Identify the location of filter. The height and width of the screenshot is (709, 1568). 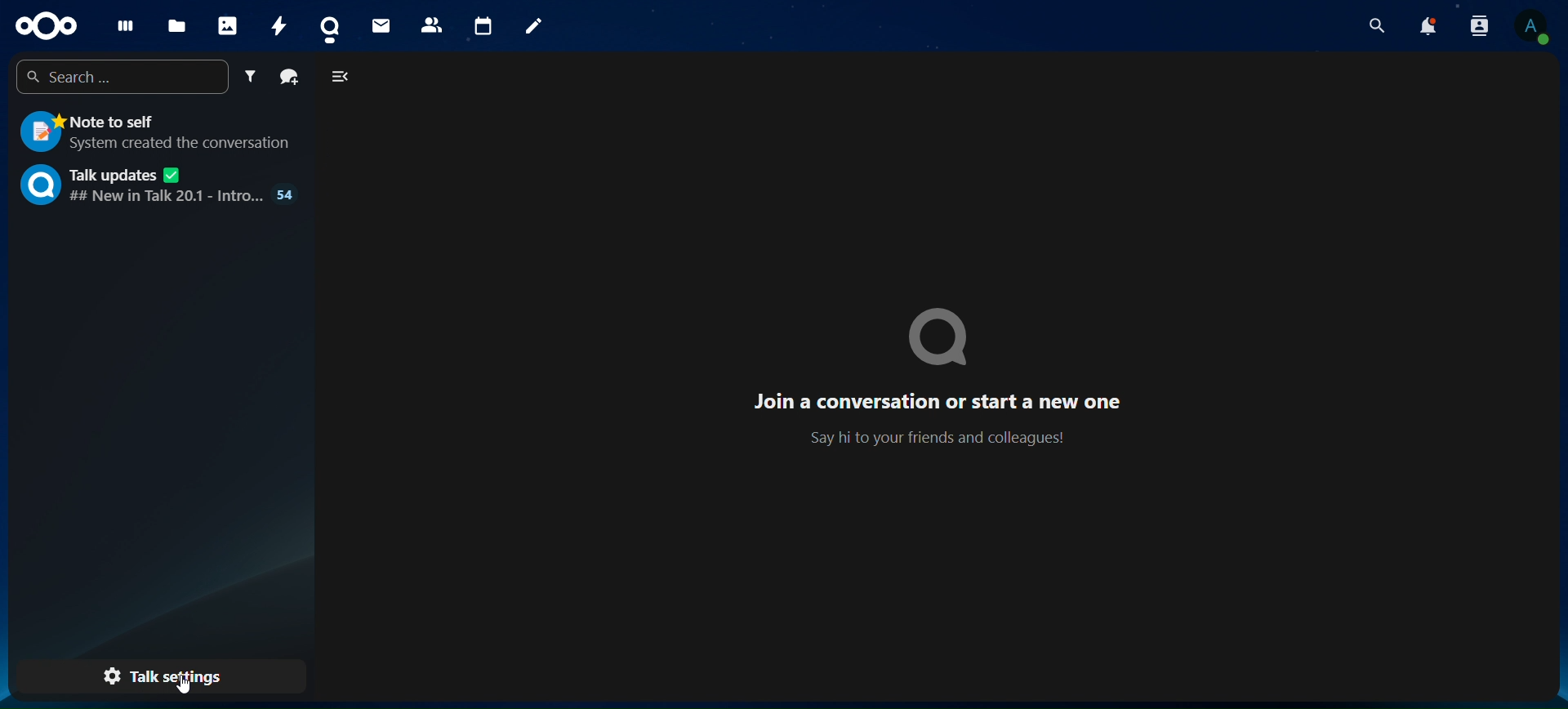
(251, 77).